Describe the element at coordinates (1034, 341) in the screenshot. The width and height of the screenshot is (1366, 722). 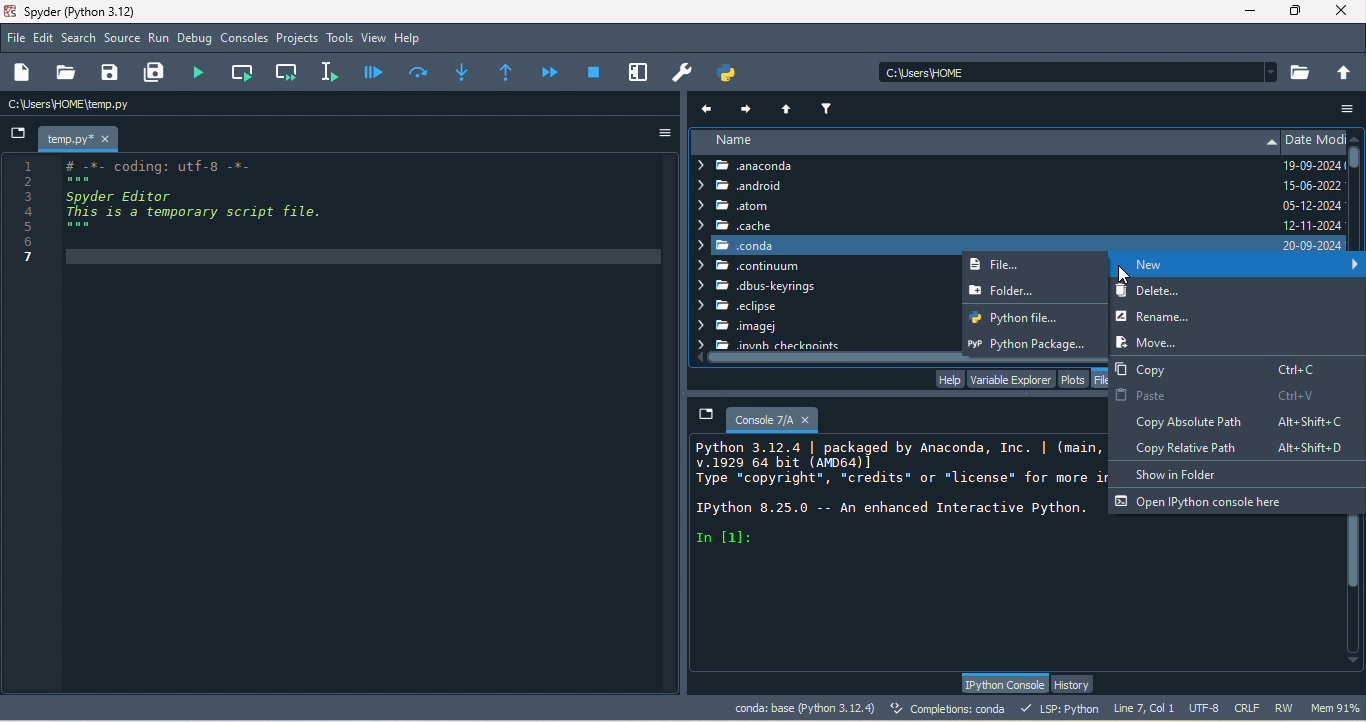
I see `python package` at that location.